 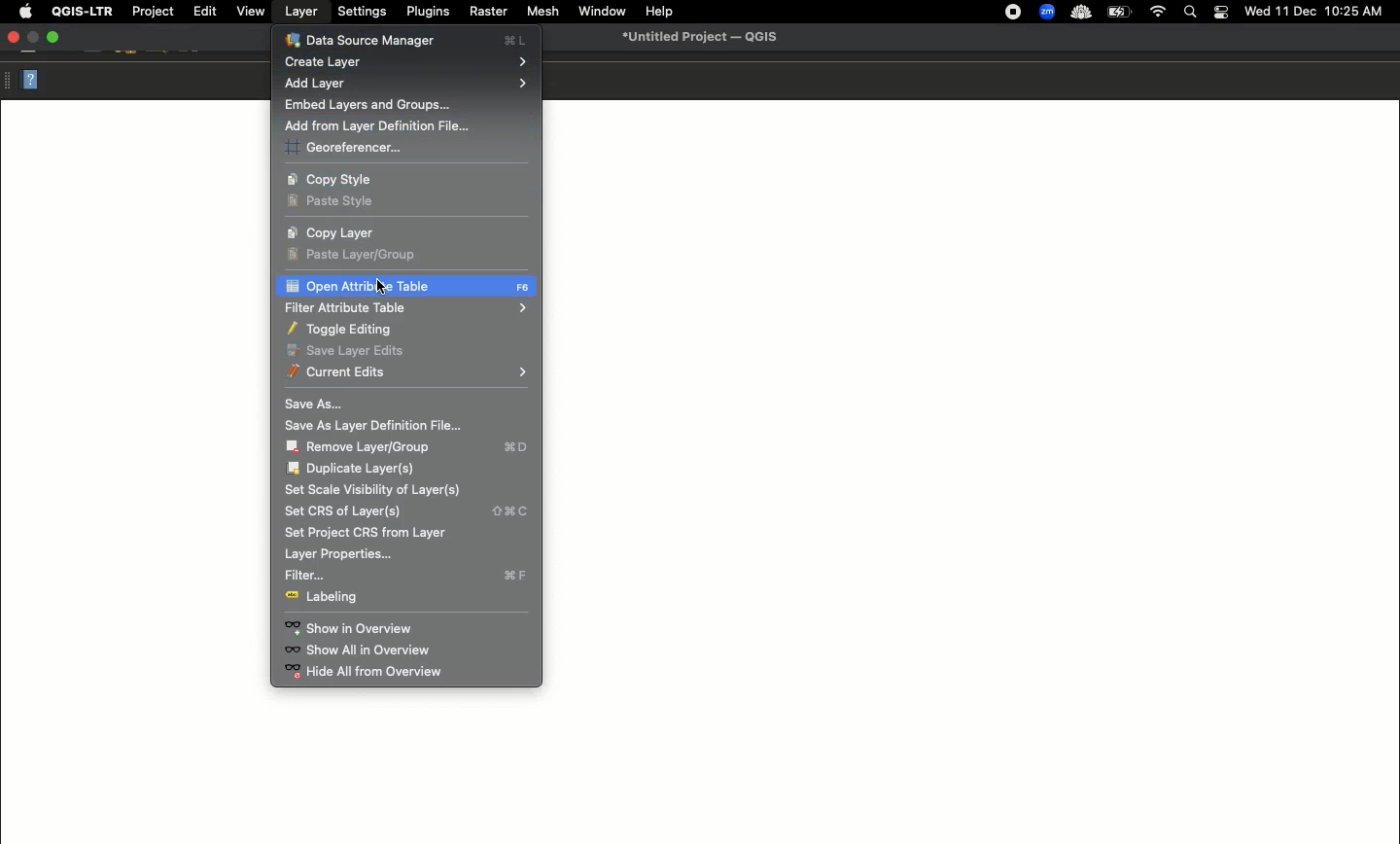 What do you see at coordinates (202, 11) in the screenshot?
I see `Edit` at bounding box center [202, 11].